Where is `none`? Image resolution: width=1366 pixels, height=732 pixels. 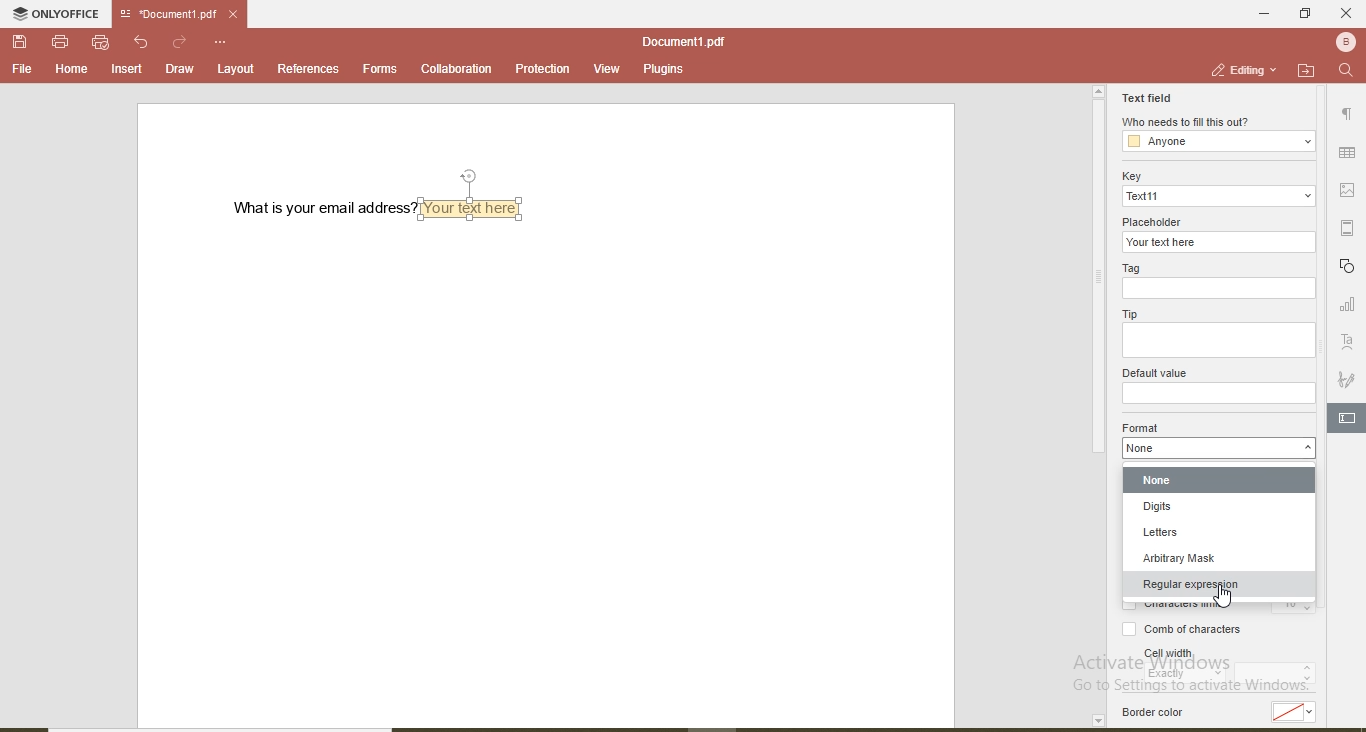 none is located at coordinates (1222, 482).